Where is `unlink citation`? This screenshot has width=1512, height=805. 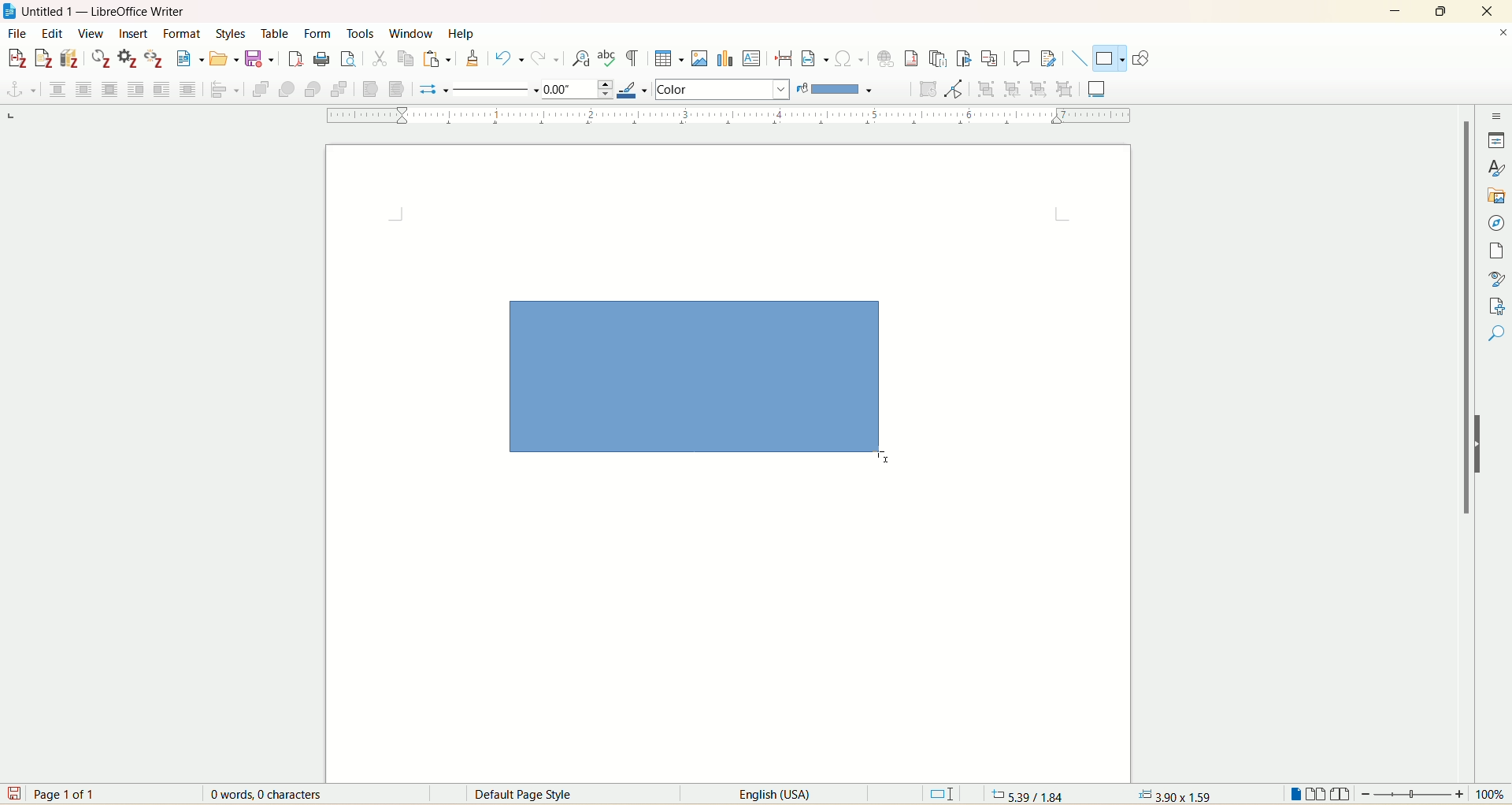 unlink citation is located at coordinates (155, 58).